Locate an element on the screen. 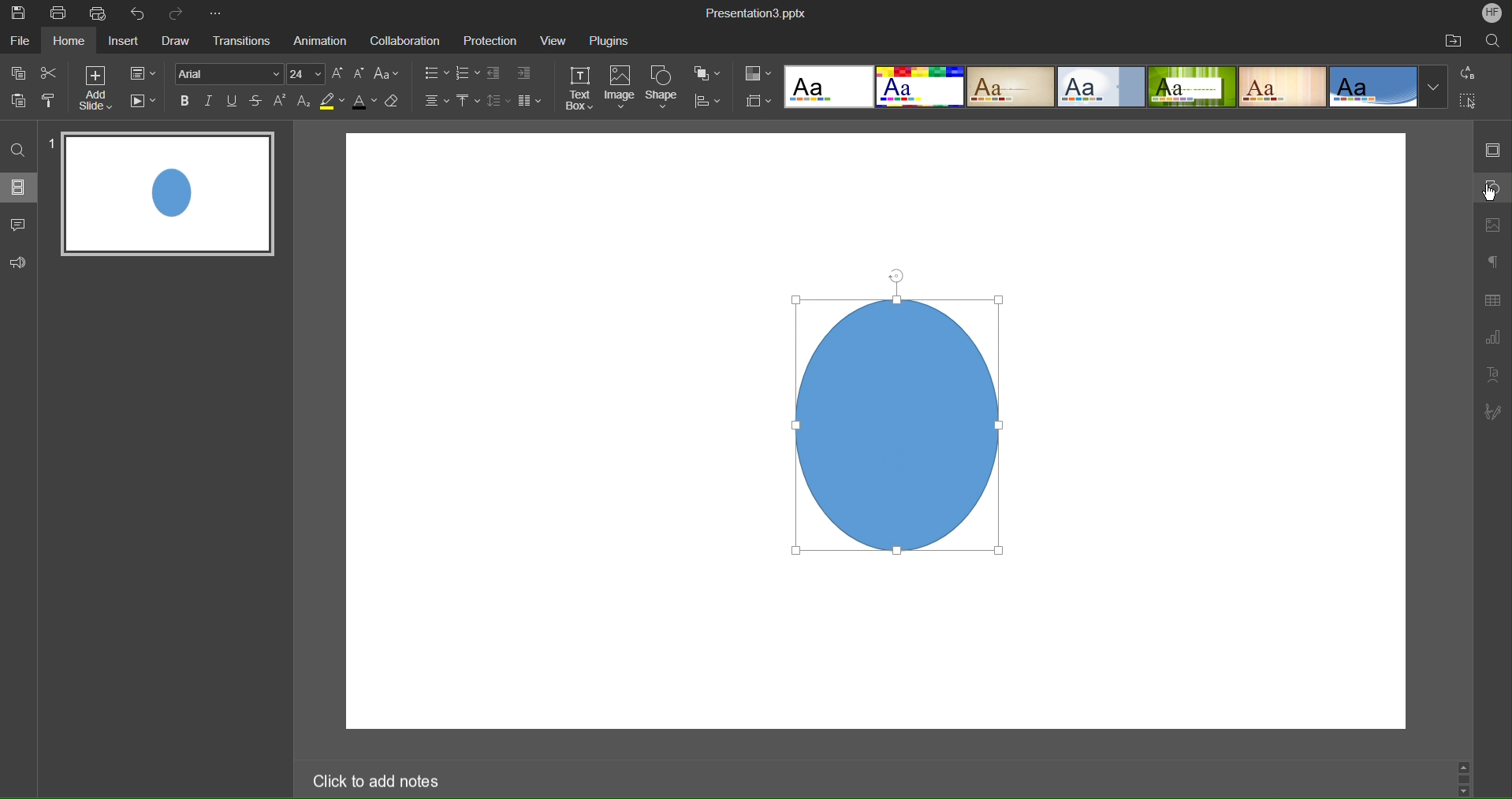 The height and width of the screenshot is (799, 1512). Account is located at coordinates (1493, 13).